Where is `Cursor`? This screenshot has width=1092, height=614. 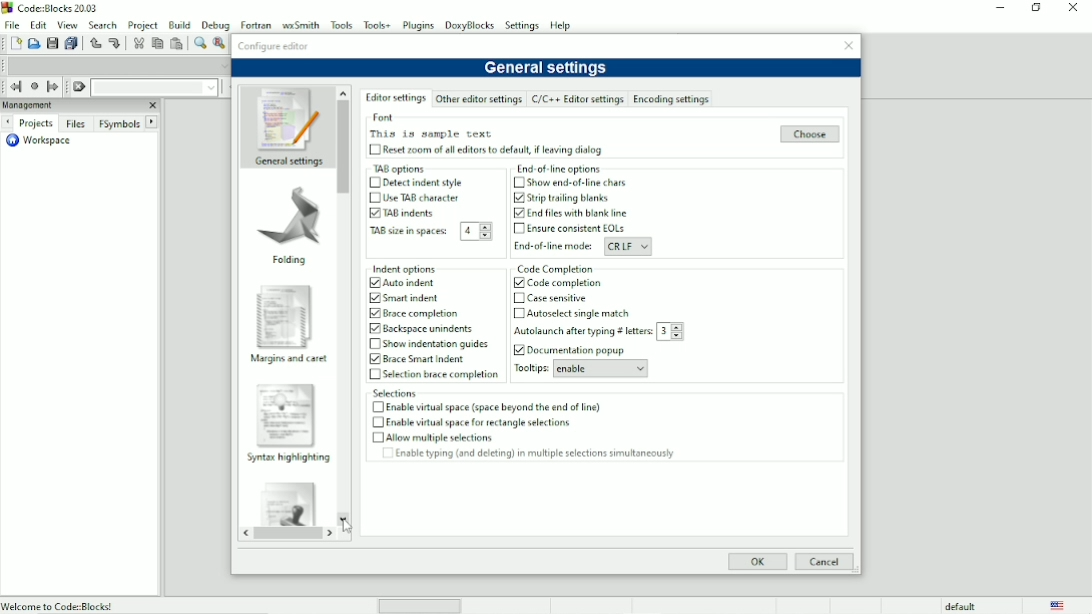
Cursor is located at coordinates (349, 527).